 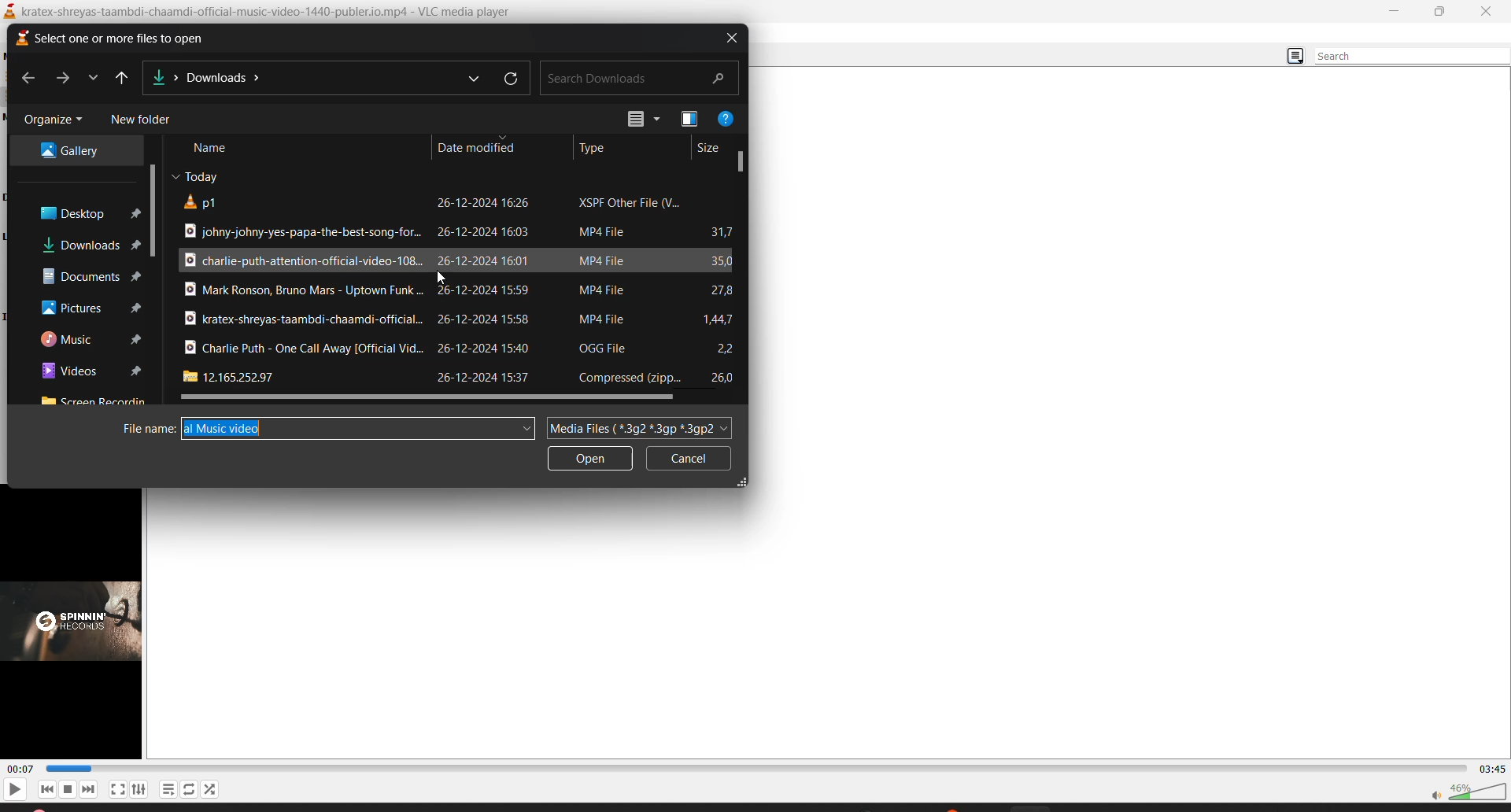 I want to click on forward, so click(x=61, y=80).